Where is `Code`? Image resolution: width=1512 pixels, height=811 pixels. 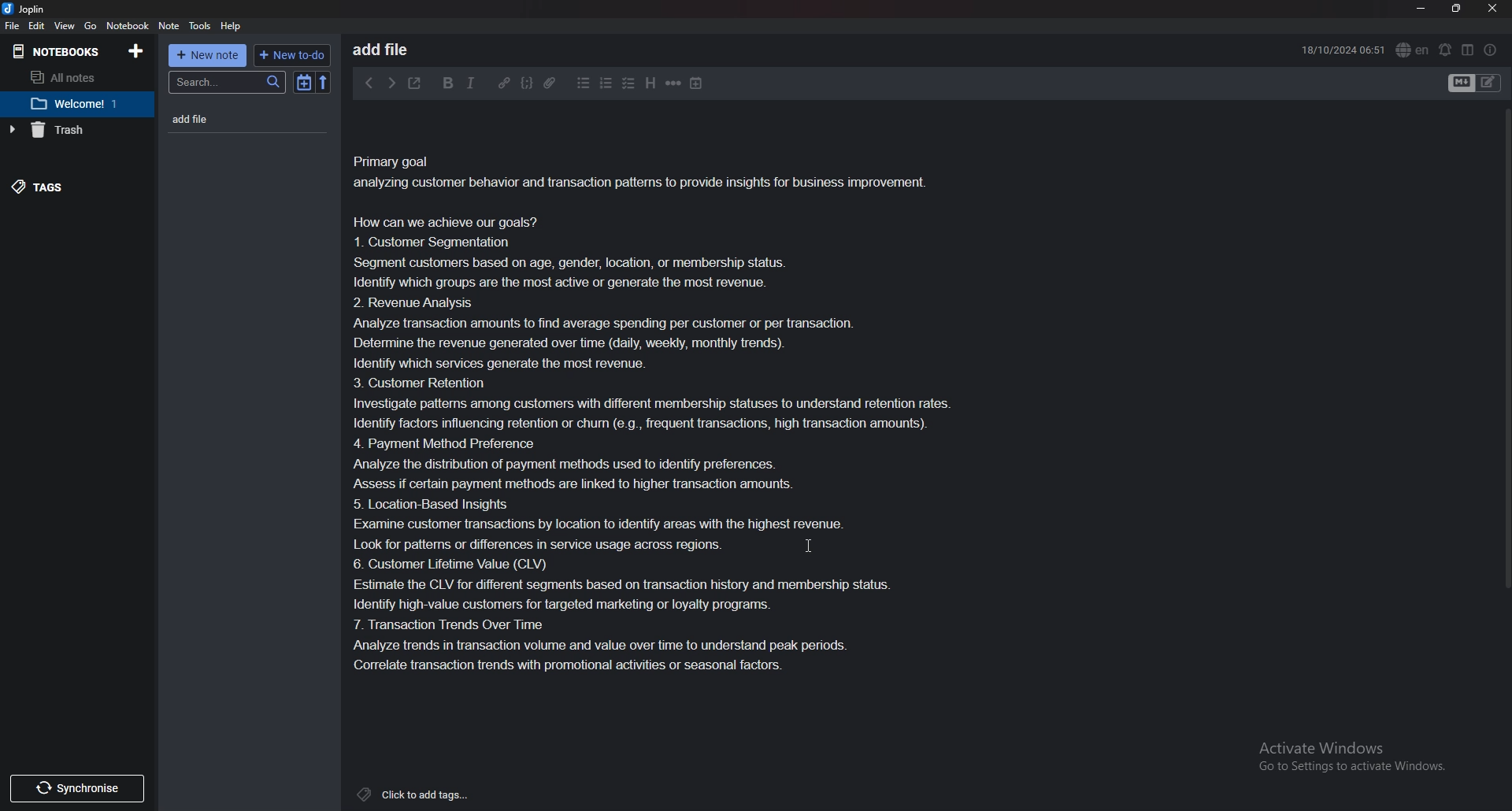
Code is located at coordinates (527, 83).